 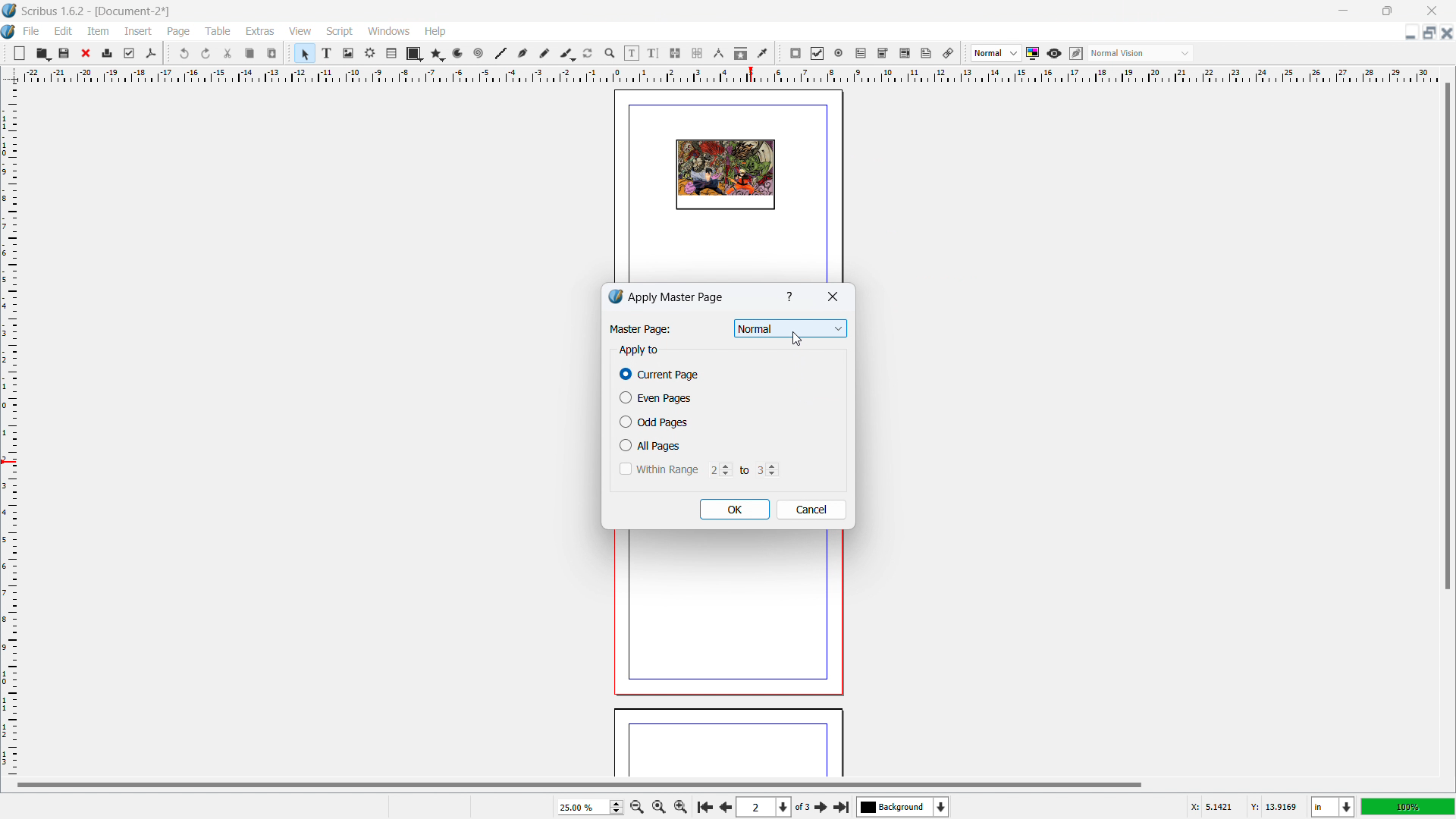 What do you see at coordinates (460, 54) in the screenshot?
I see `curves` at bounding box center [460, 54].